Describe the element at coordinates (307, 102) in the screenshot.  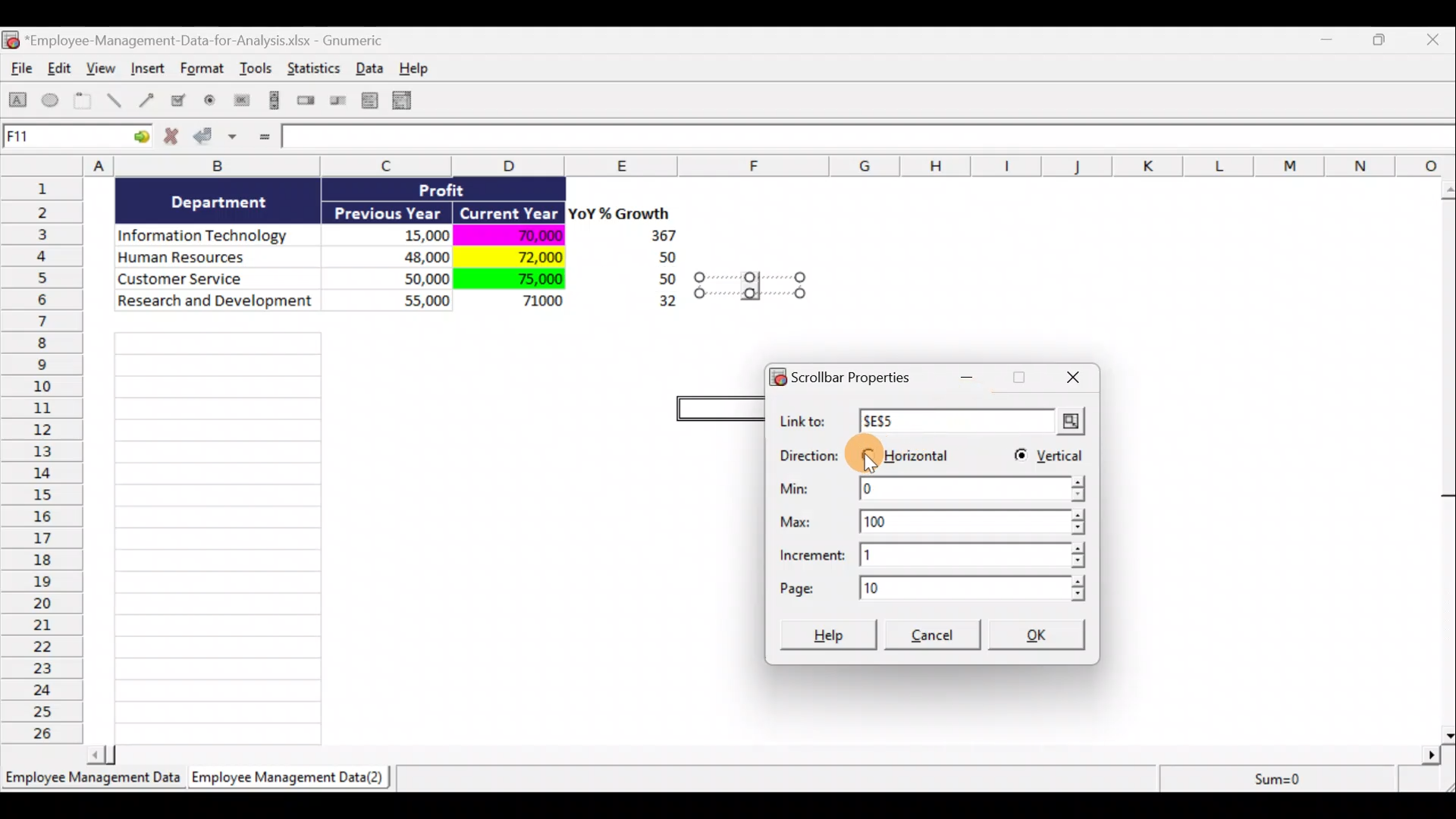
I see `Create a spin button` at that location.